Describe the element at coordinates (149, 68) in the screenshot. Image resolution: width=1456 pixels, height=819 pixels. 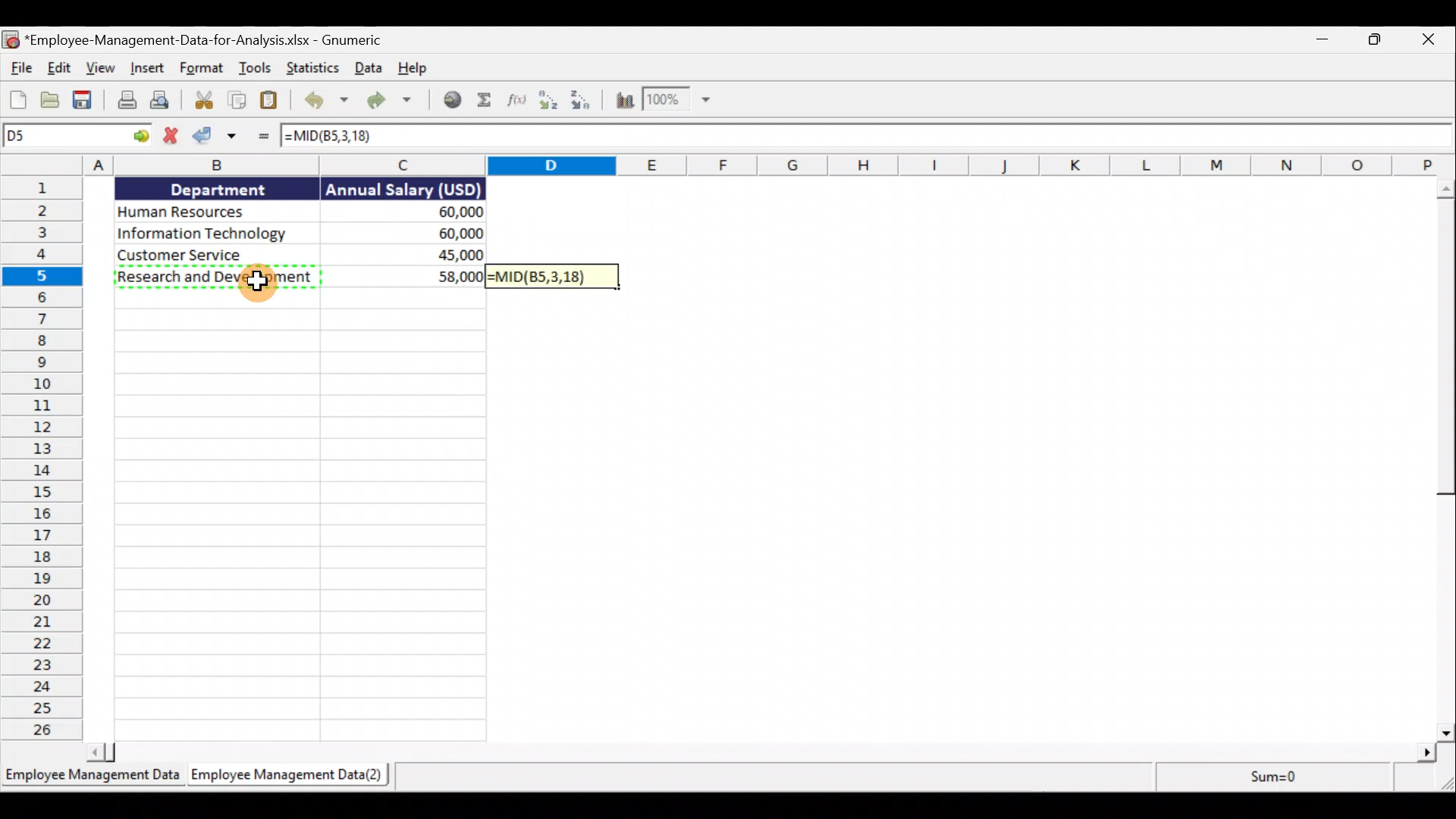
I see `Insert` at that location.